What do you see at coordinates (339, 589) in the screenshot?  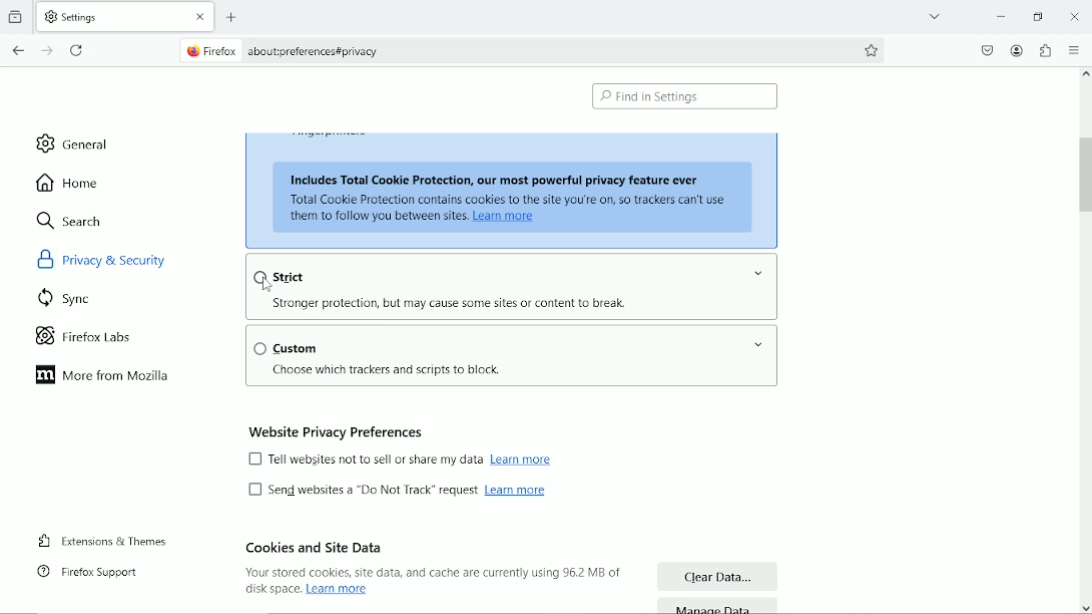 I see `link` at bounding box center [339, 589].